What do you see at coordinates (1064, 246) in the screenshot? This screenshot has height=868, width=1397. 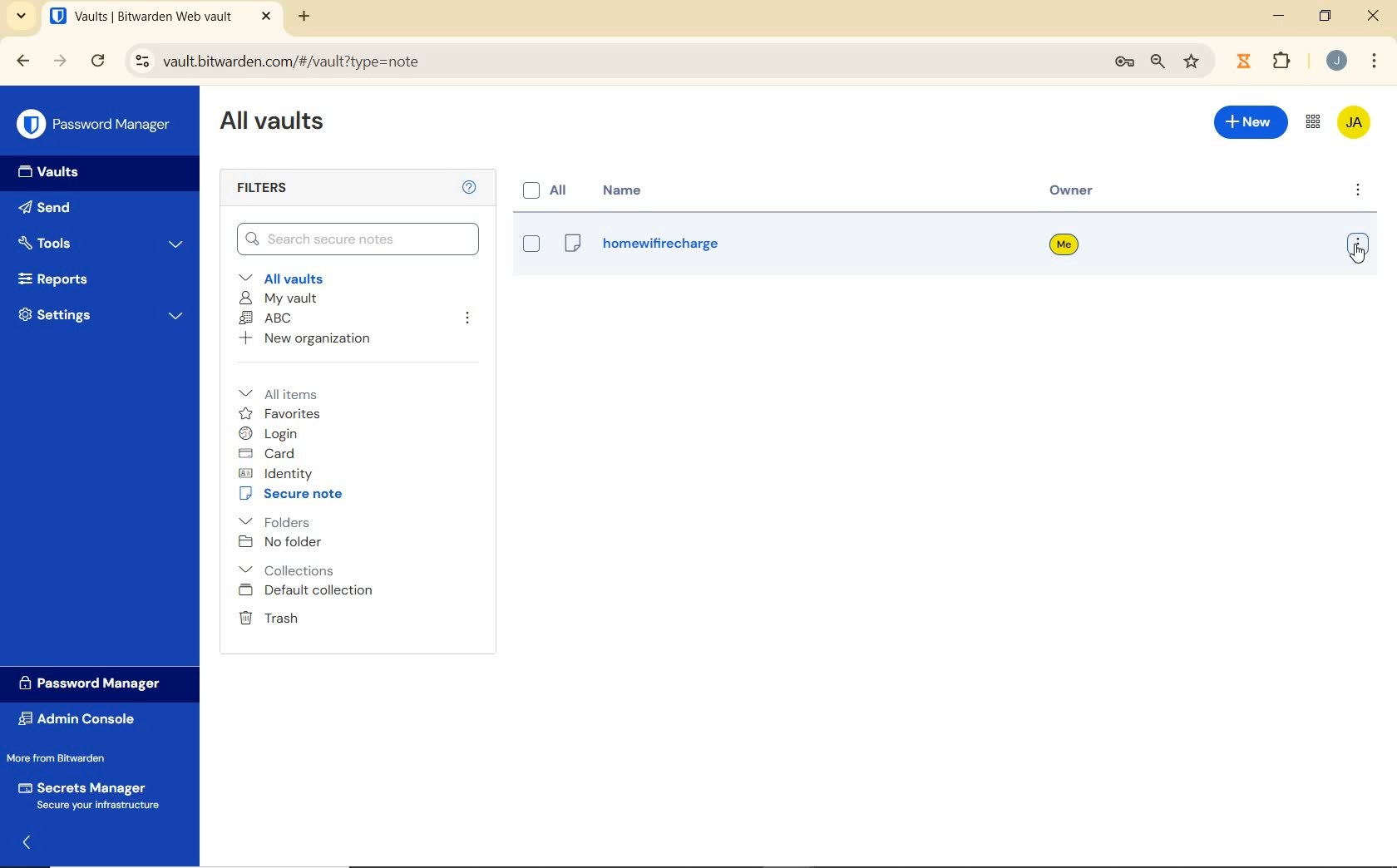 I see `owner` at bounding box center [1064, 246].